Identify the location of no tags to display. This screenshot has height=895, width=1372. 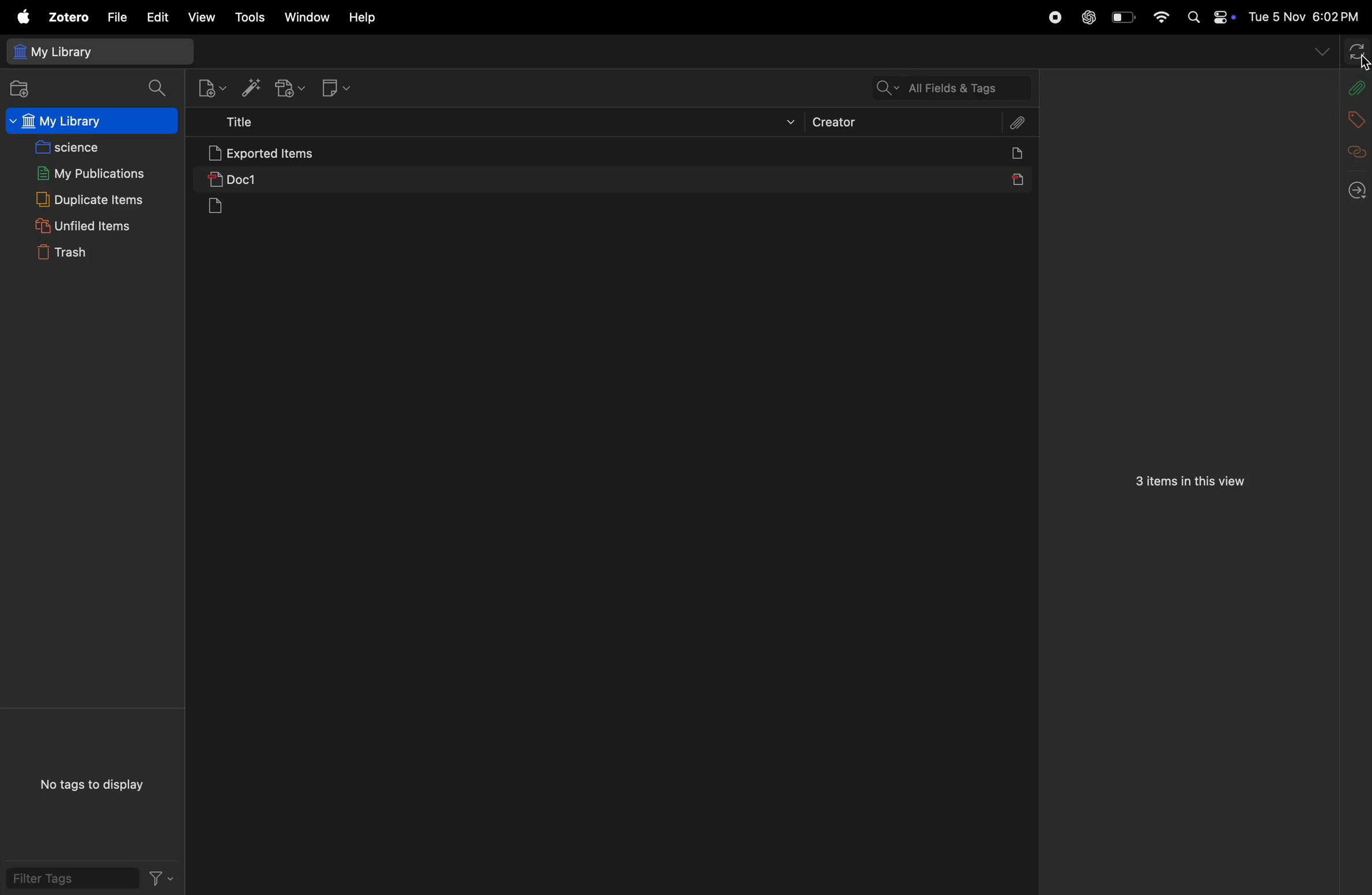
(93, 784).